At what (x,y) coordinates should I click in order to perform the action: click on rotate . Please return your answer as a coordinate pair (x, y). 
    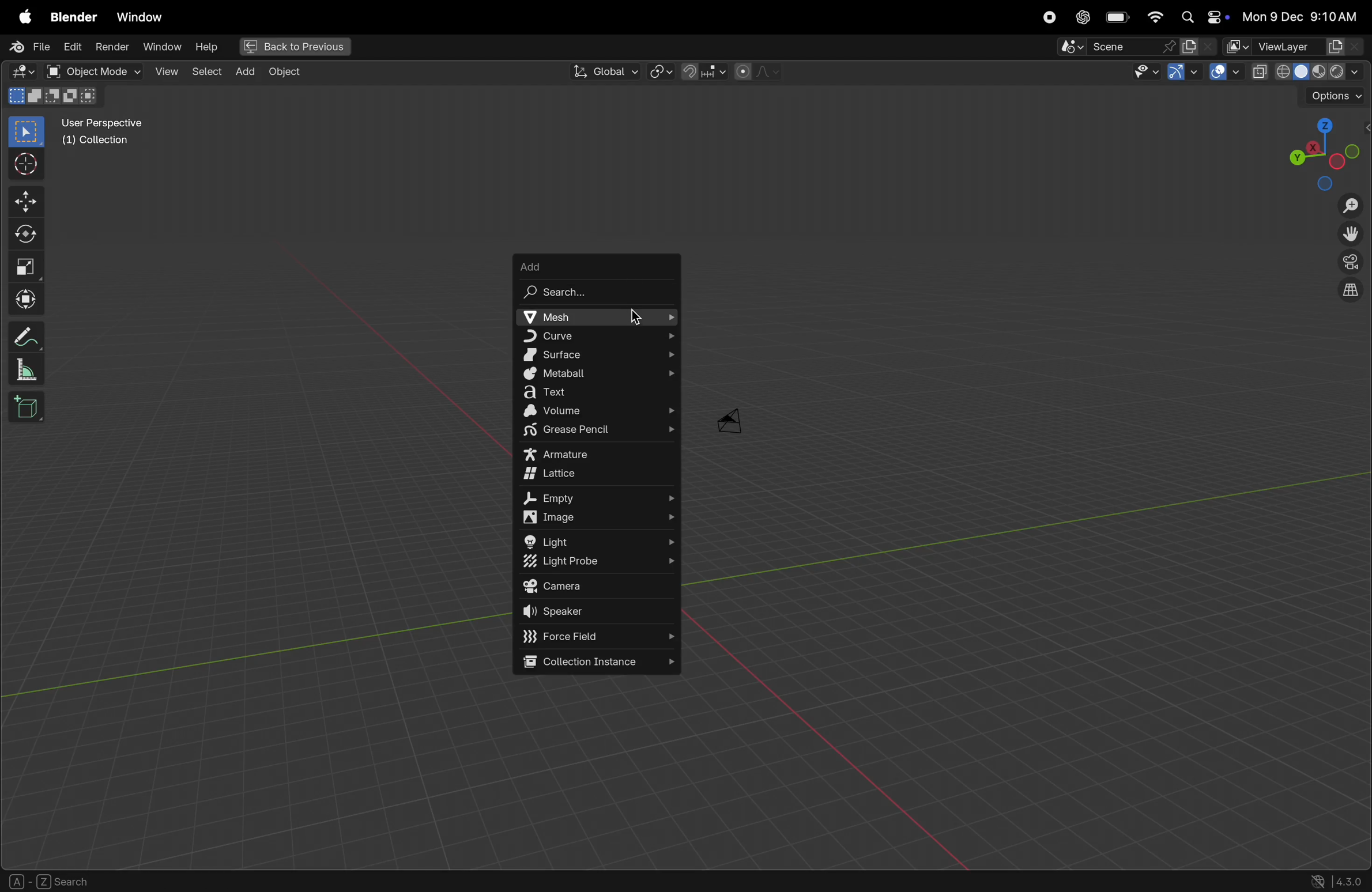
    Looking at the image, I should click on (29, 232).